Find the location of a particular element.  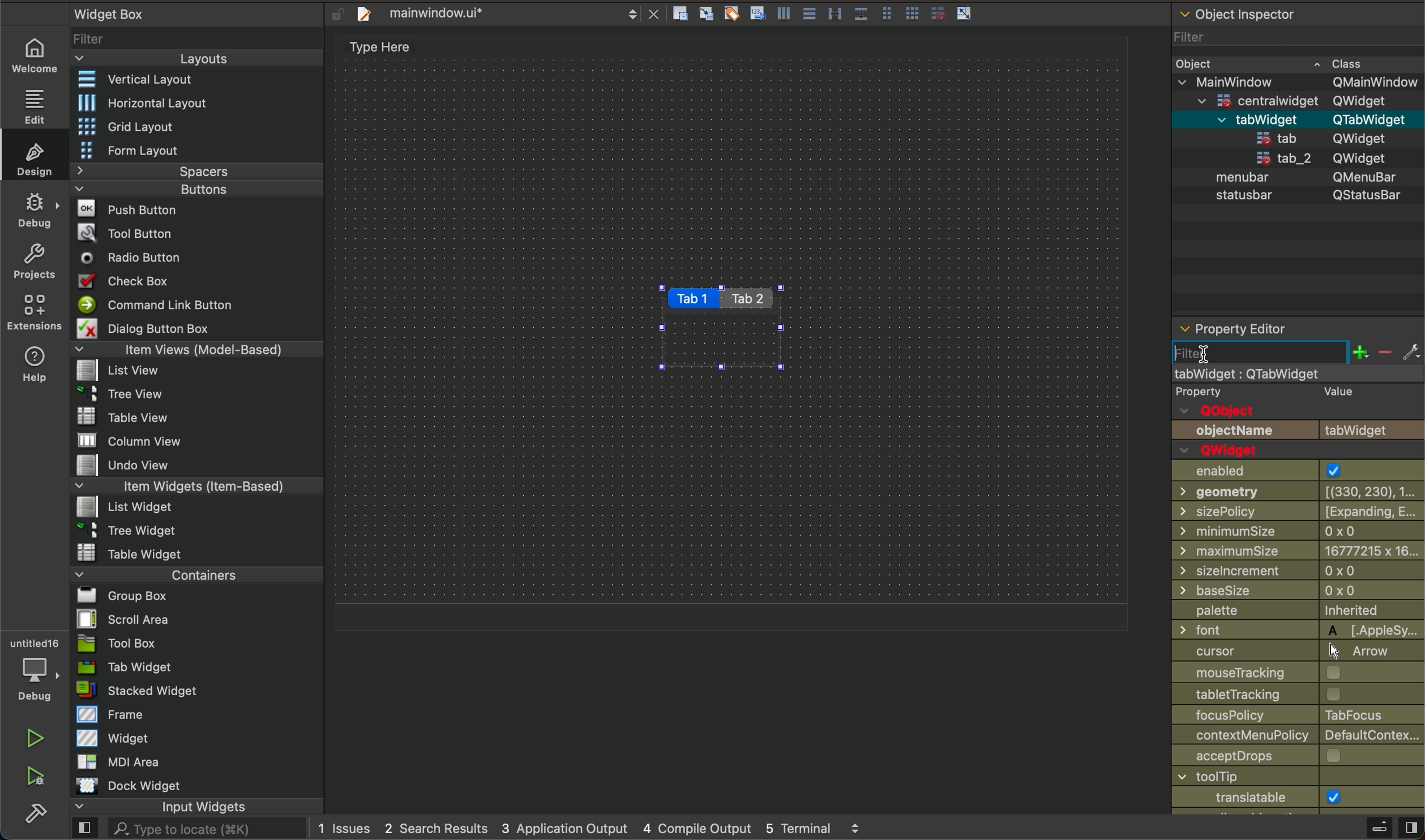

Dock widget is located at coordinates (146, 786).